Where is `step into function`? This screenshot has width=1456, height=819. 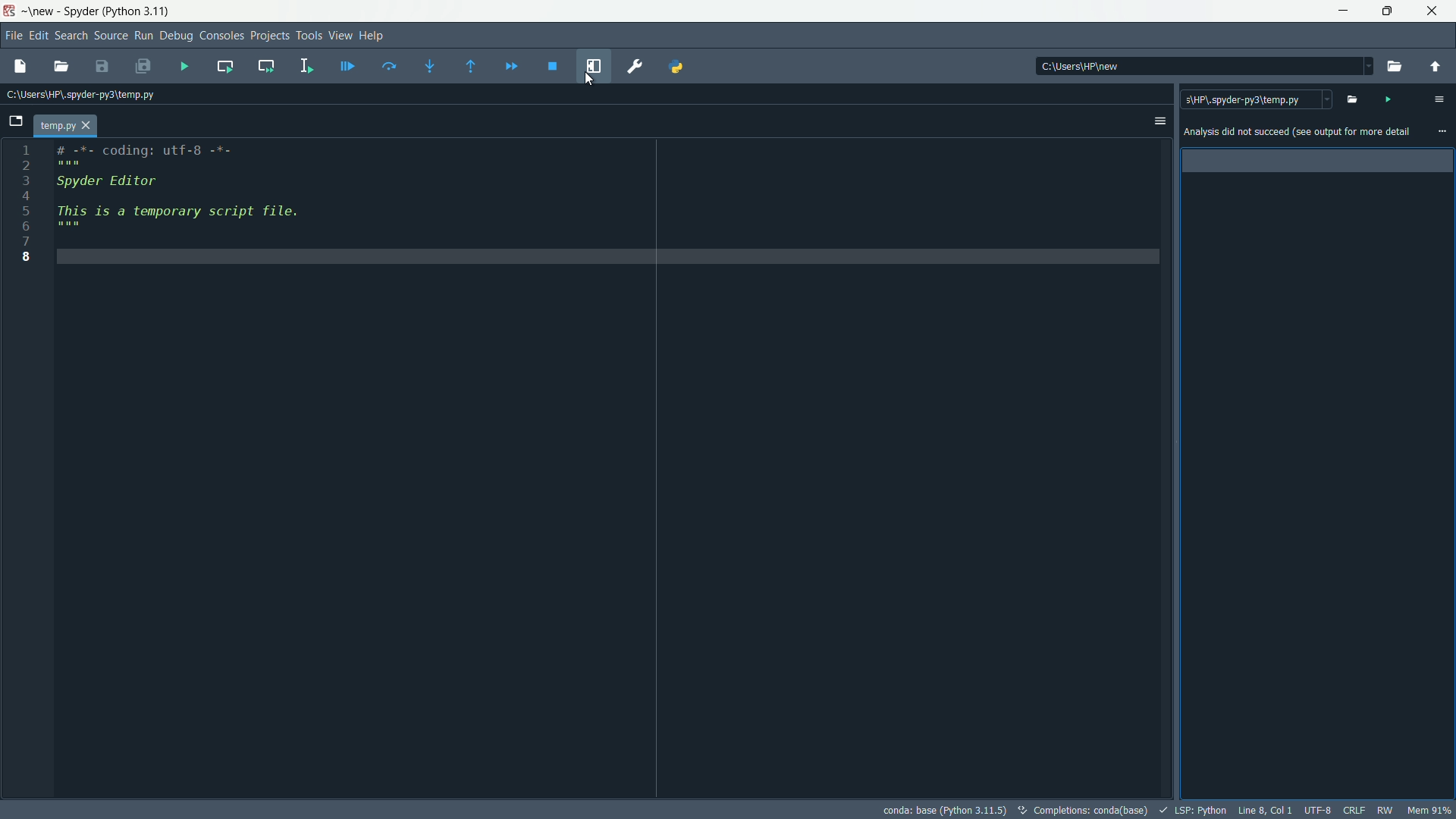 step into function is located at coordinates (431, 66).